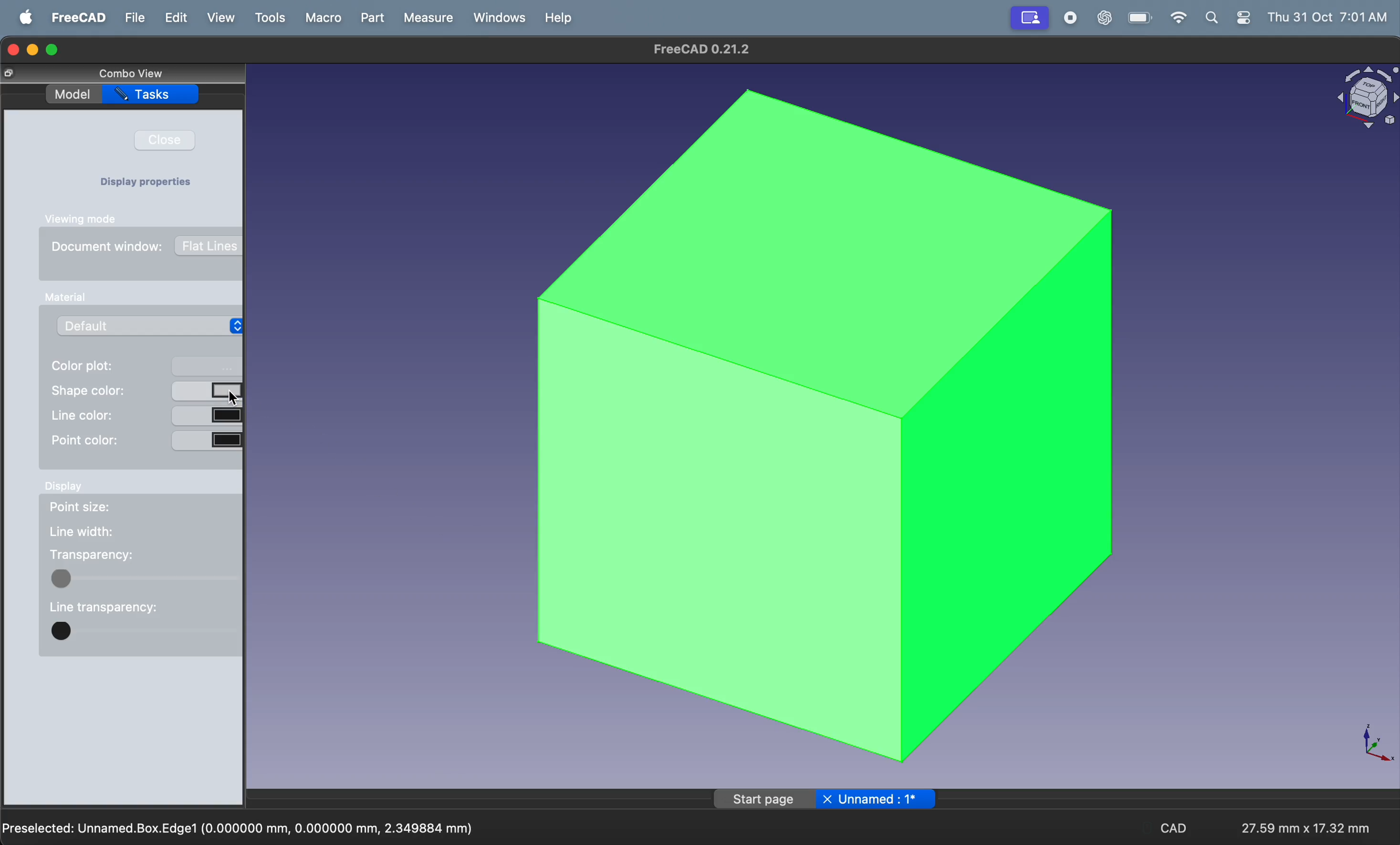 The width and height of the screenshot is (1400, 845). I want to click on closing window, so click(14, 48).